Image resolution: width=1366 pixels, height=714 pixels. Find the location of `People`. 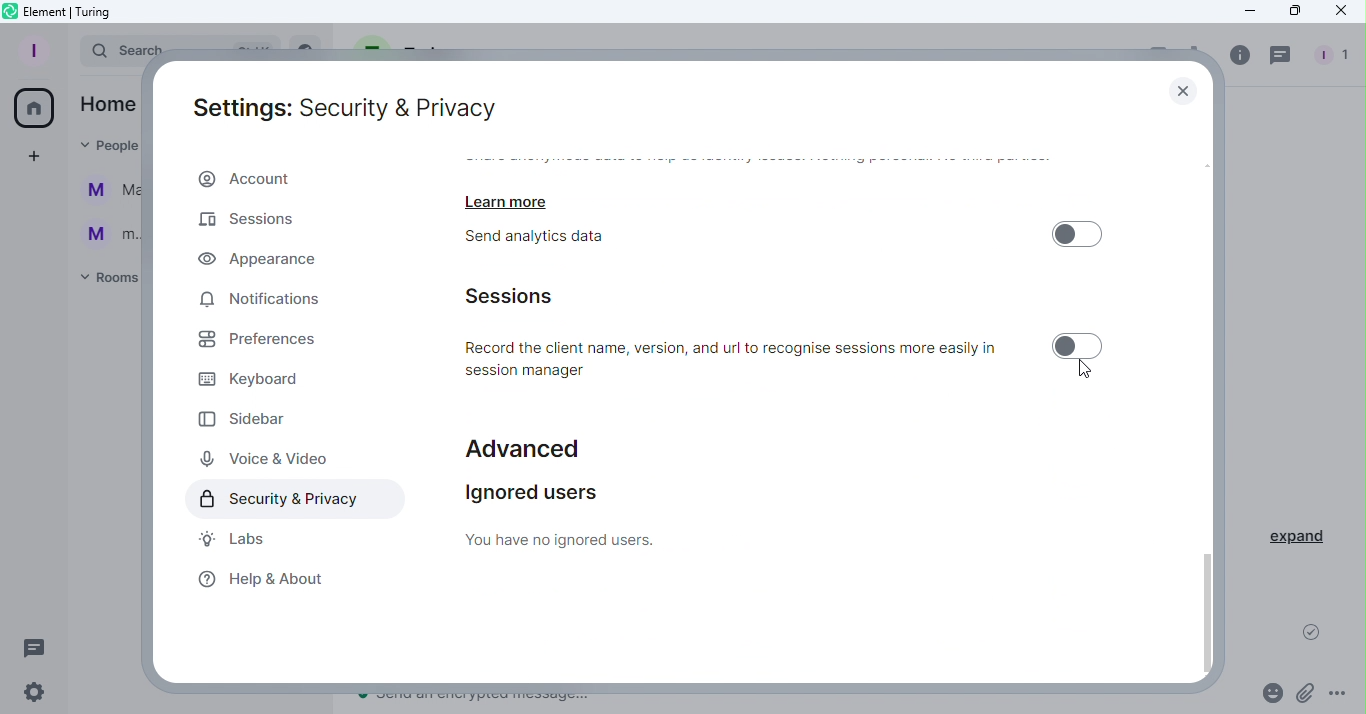

People is located at coordinates (101, 145).